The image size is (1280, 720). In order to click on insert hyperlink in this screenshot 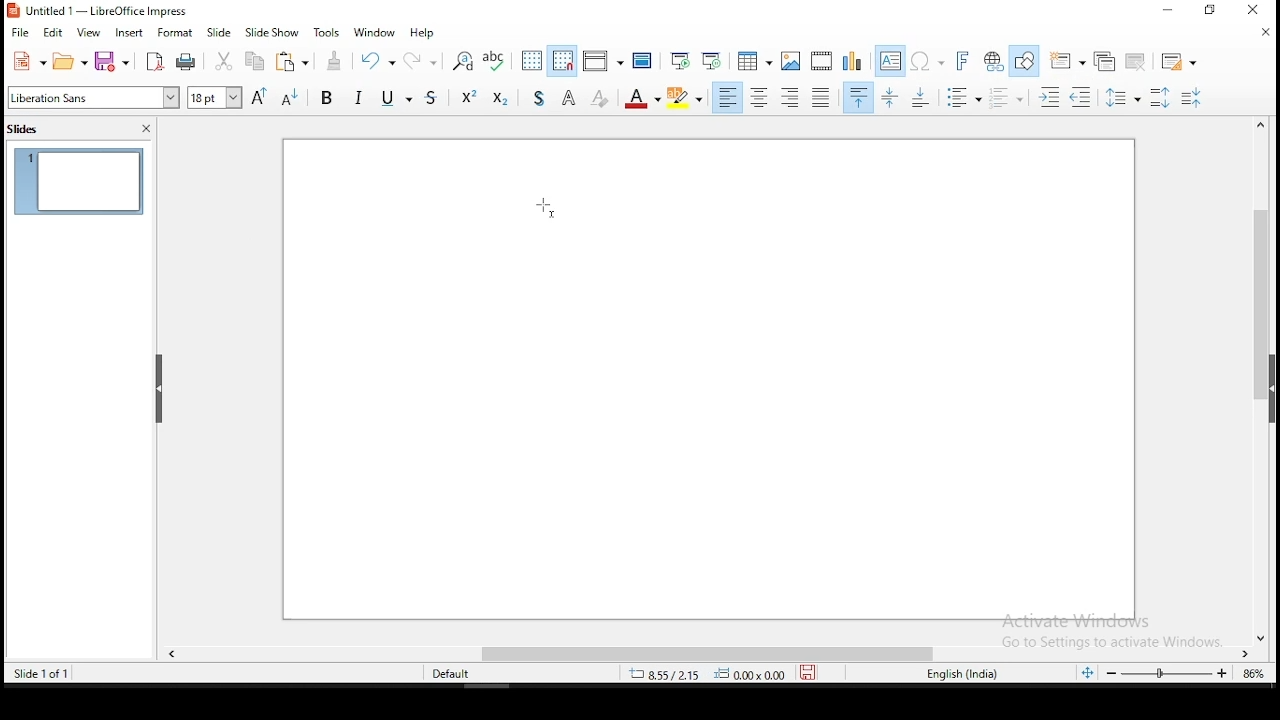, I will do `click(992, 60)`.